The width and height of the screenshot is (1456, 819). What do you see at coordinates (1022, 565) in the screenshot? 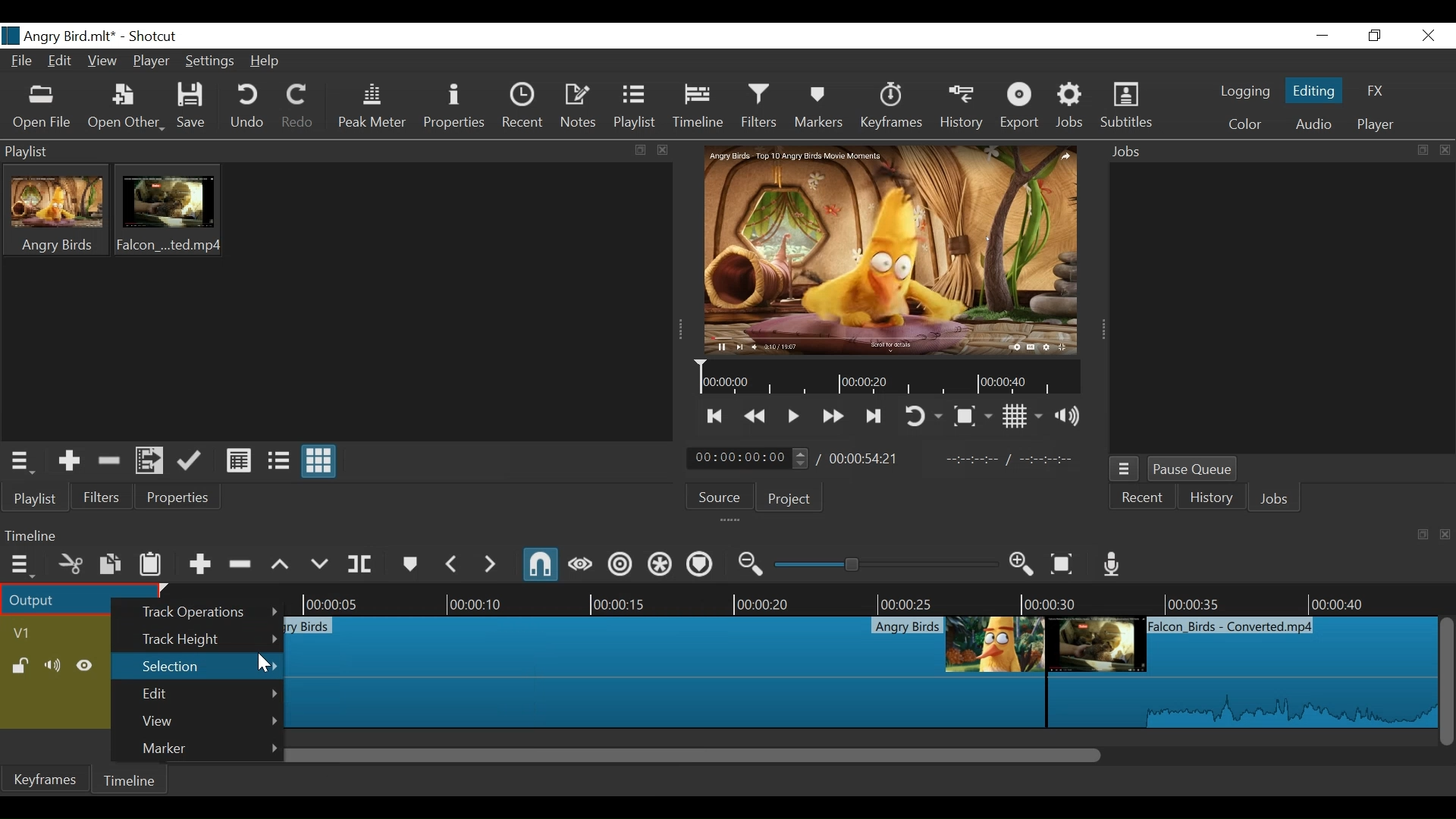
I see `Zoom timeline in` at bounding box center [1022, 565].